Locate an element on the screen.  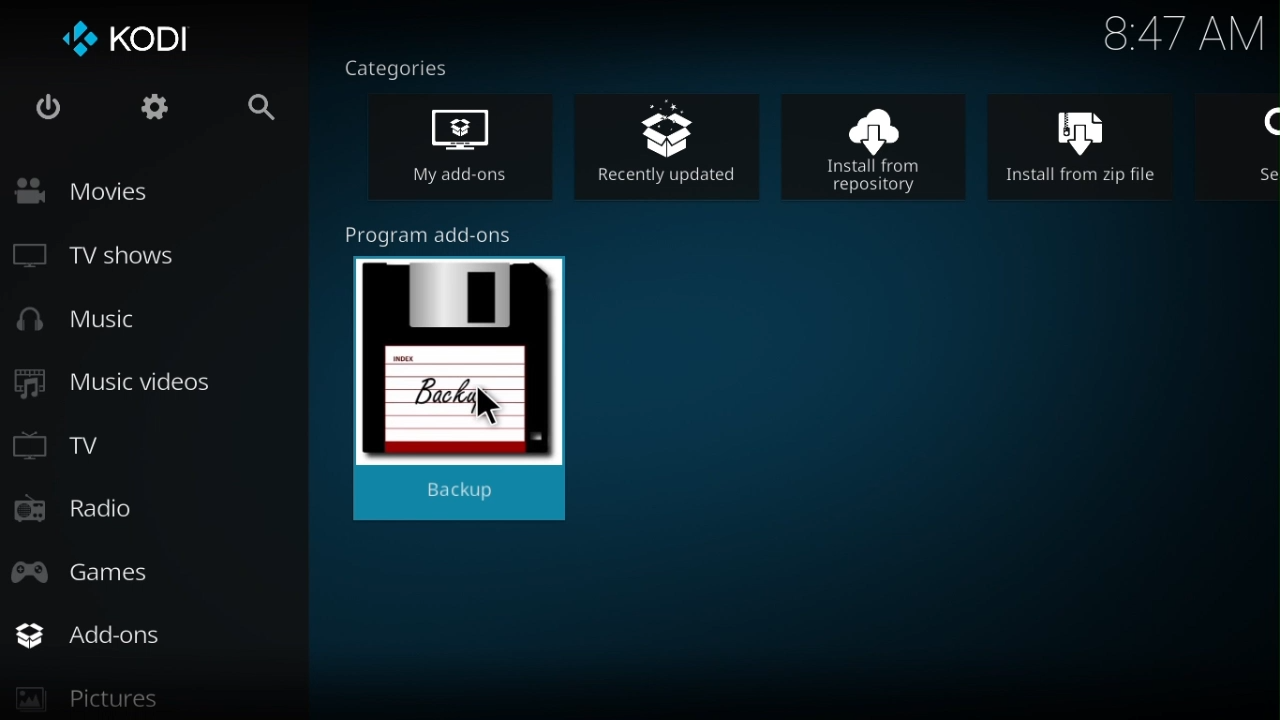
pictures is located at coordinates (146, 703).